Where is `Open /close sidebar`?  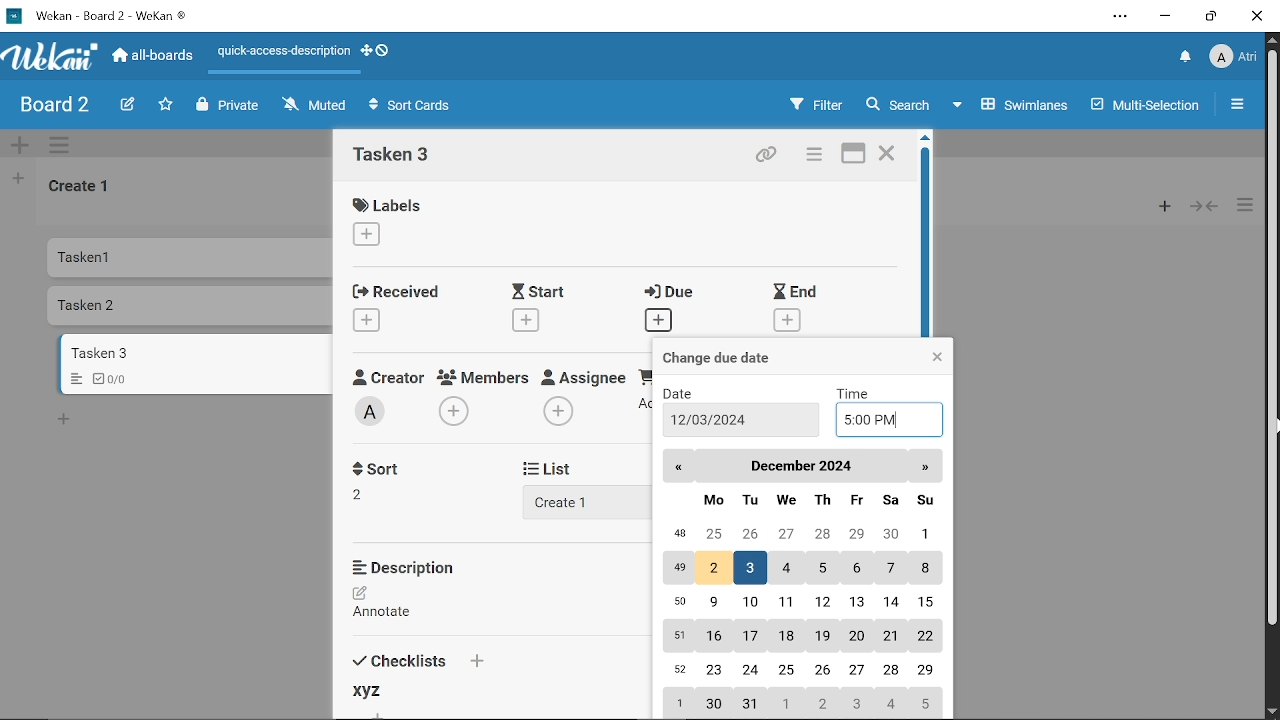 Open /close sidebar is located at coordinates (1243, 106).